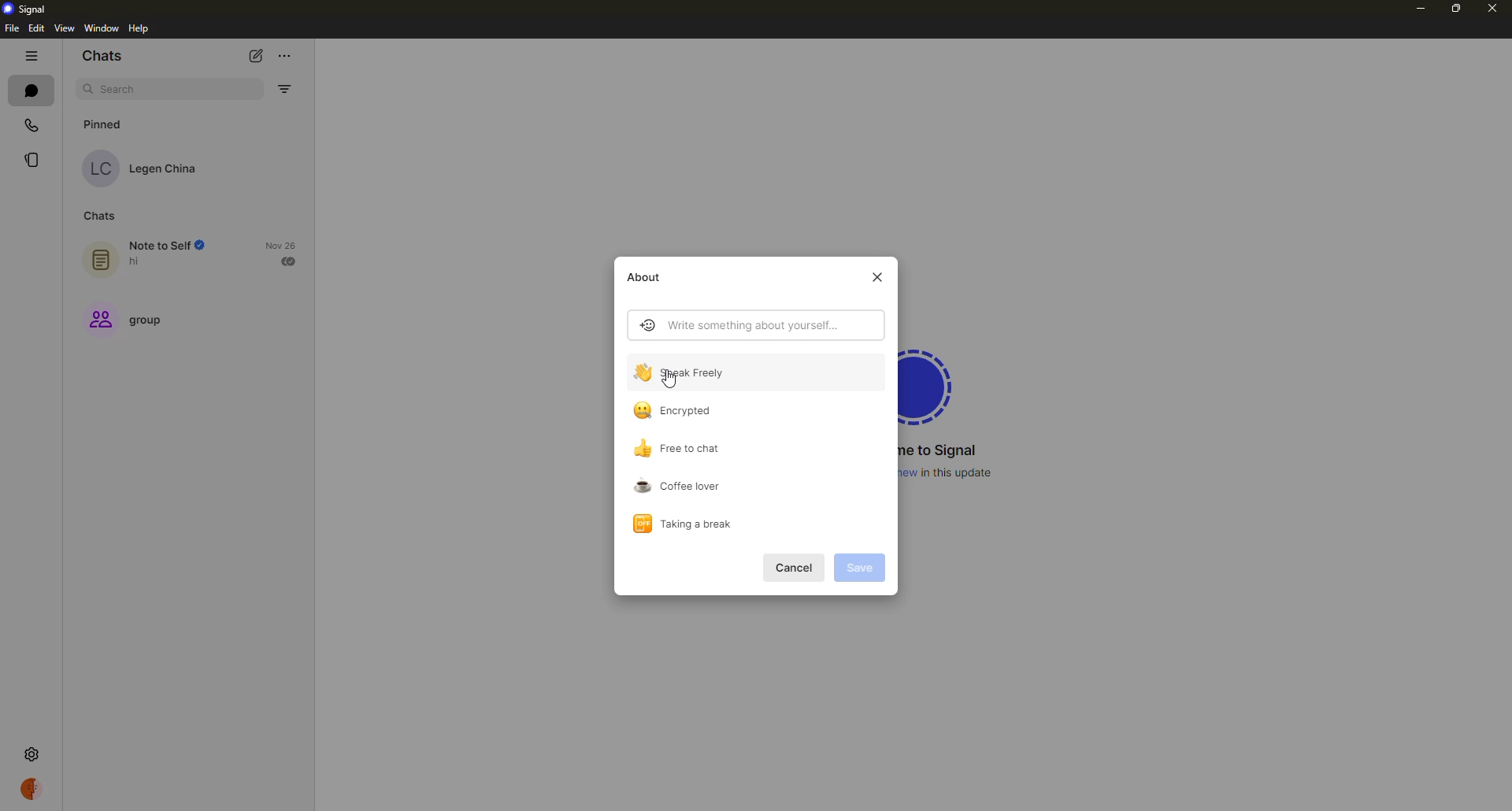  I want to click on cursor , so click(676, 379).